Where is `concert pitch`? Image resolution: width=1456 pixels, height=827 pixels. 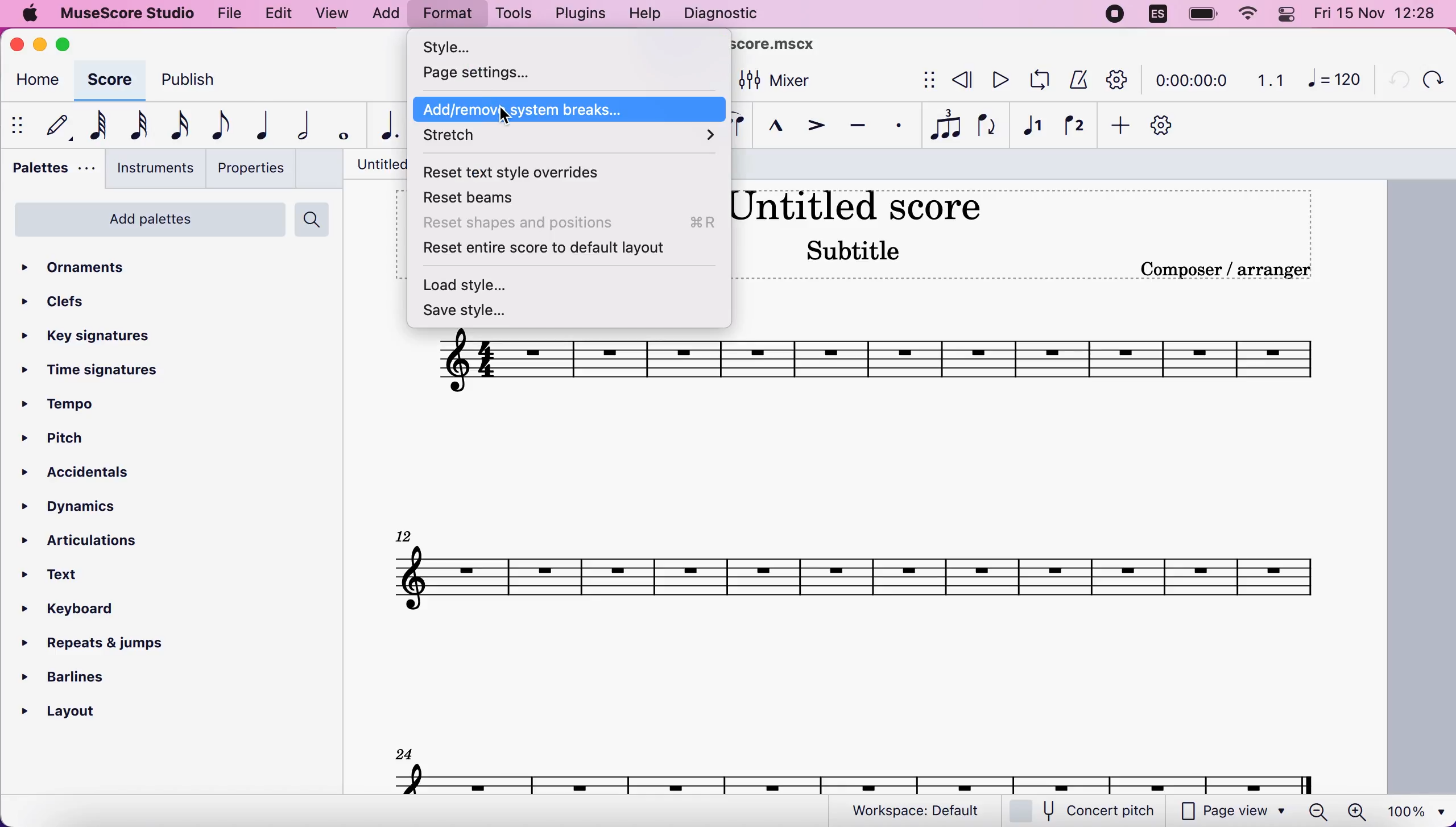 concert pitch is located at coordinates (1089, 812).